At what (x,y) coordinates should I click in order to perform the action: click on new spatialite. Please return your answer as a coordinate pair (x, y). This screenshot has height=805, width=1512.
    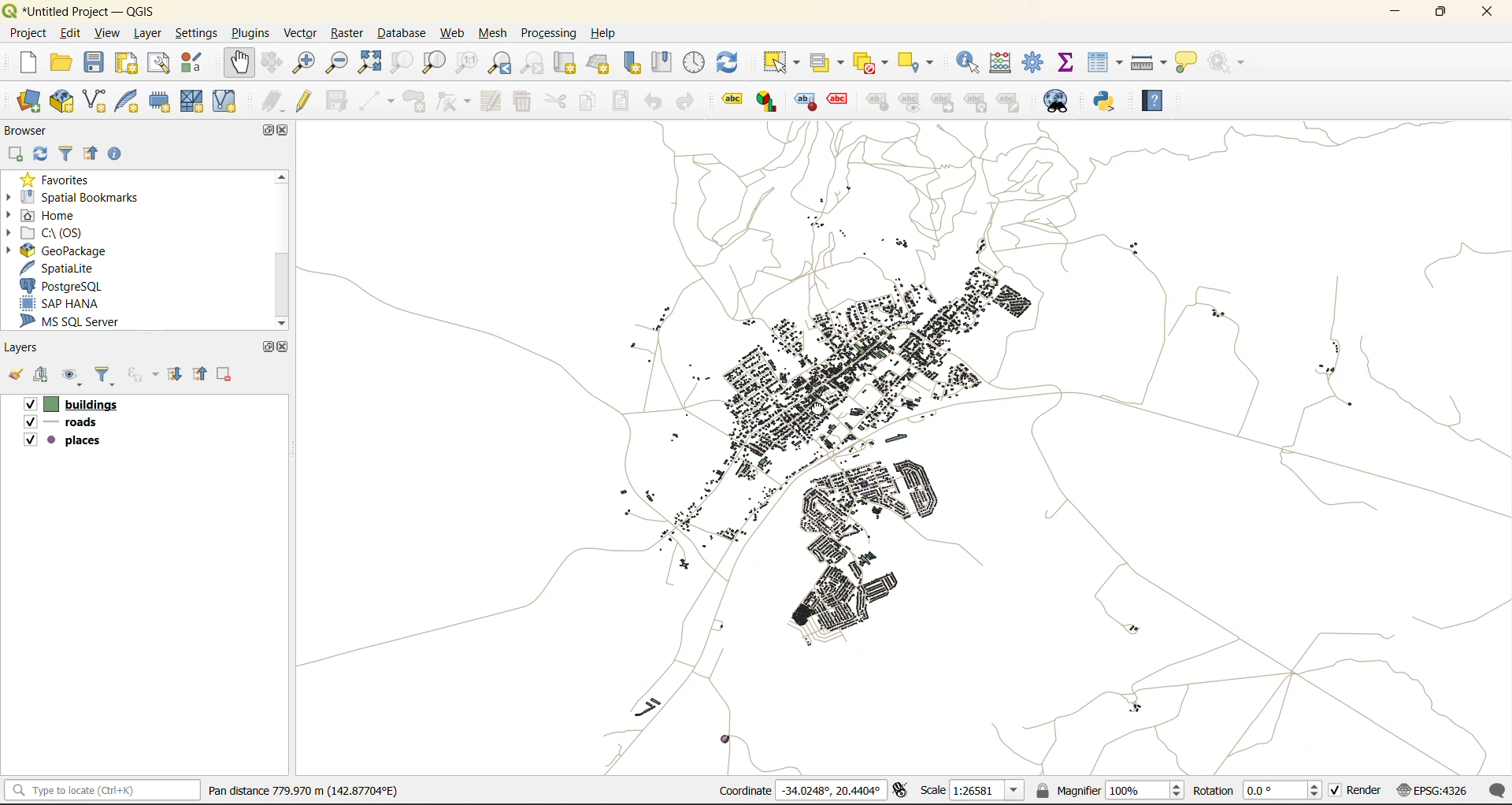
    Looking at the image, I should click on (125, 100).